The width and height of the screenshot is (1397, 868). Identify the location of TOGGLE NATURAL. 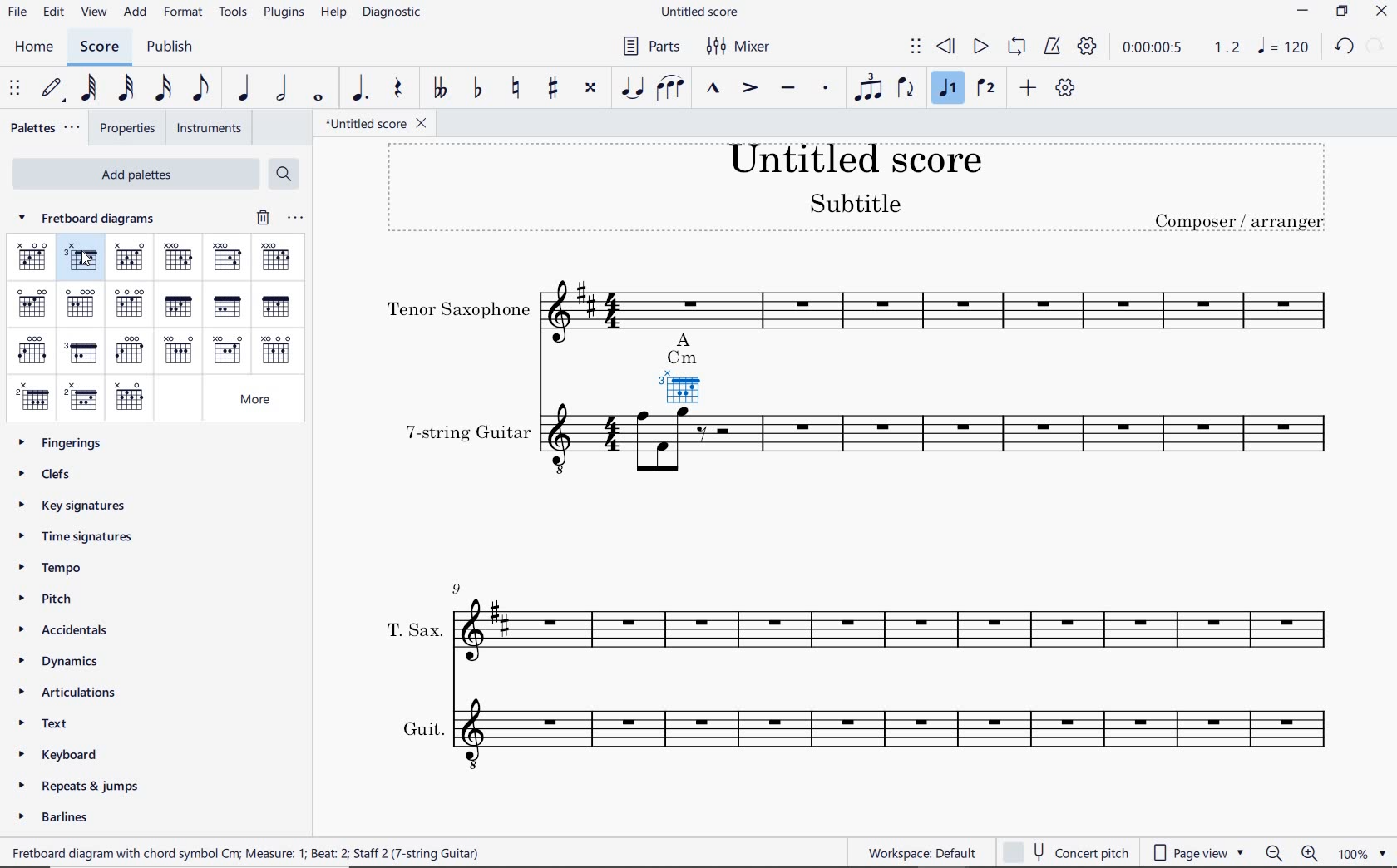
(516, 89).